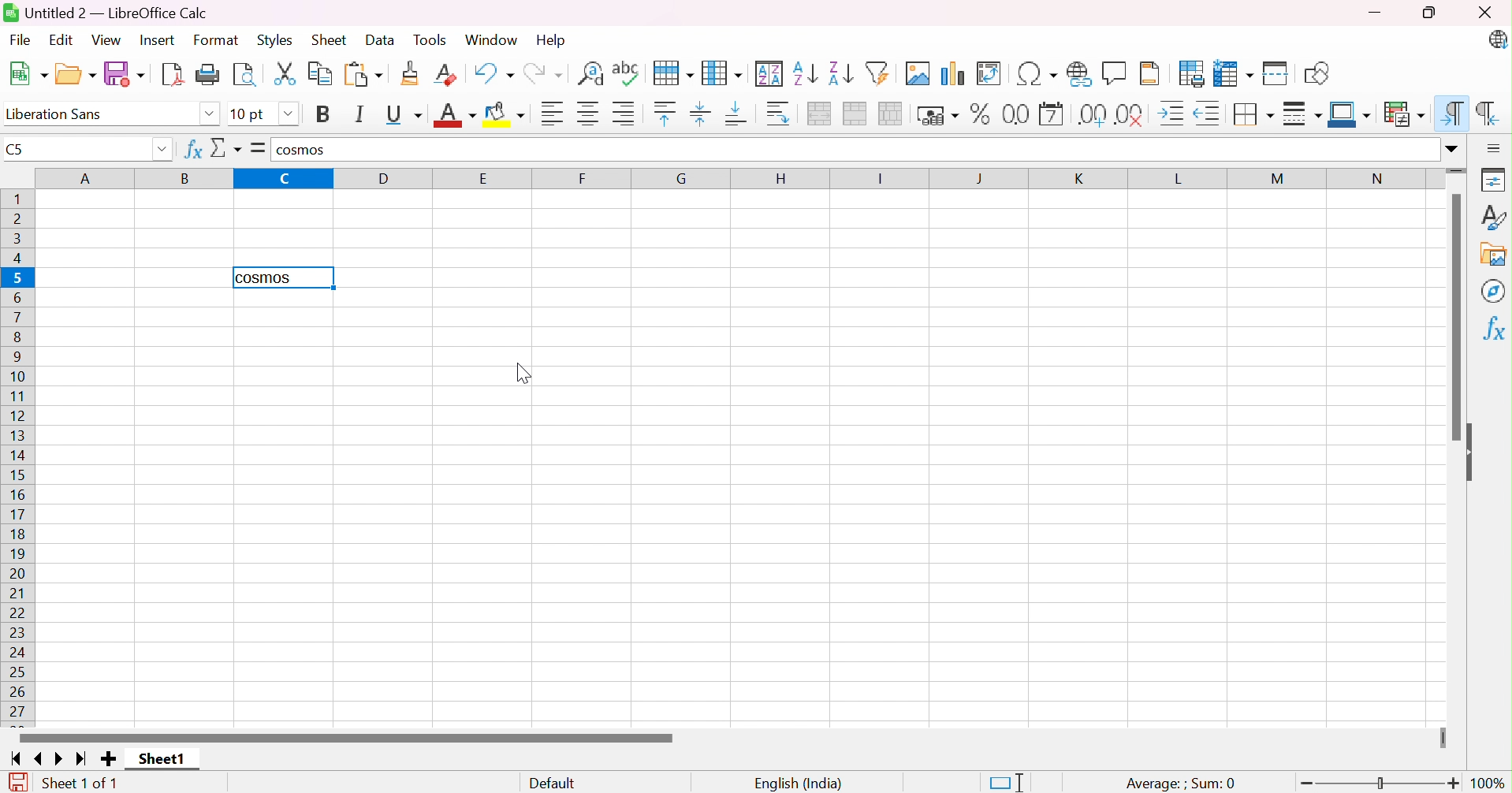  Describe the element at coordinates (86, 757) in the screenshot. I see `Scroll to last page` at that location.